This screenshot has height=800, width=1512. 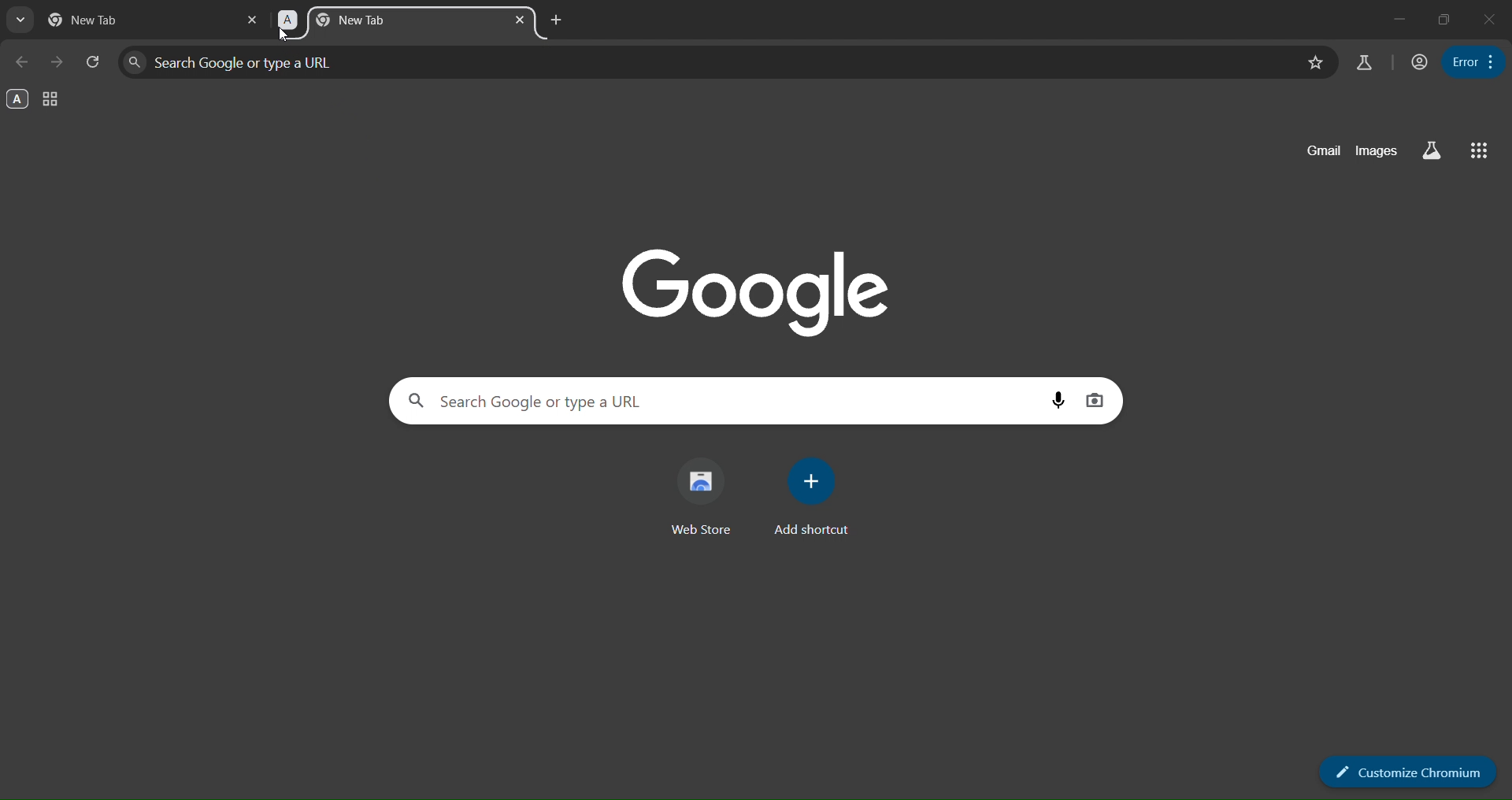 What do you see at coordinates (18, 99) in the screenshot?
I see `A group - opened` at bounding box center [18, 99].